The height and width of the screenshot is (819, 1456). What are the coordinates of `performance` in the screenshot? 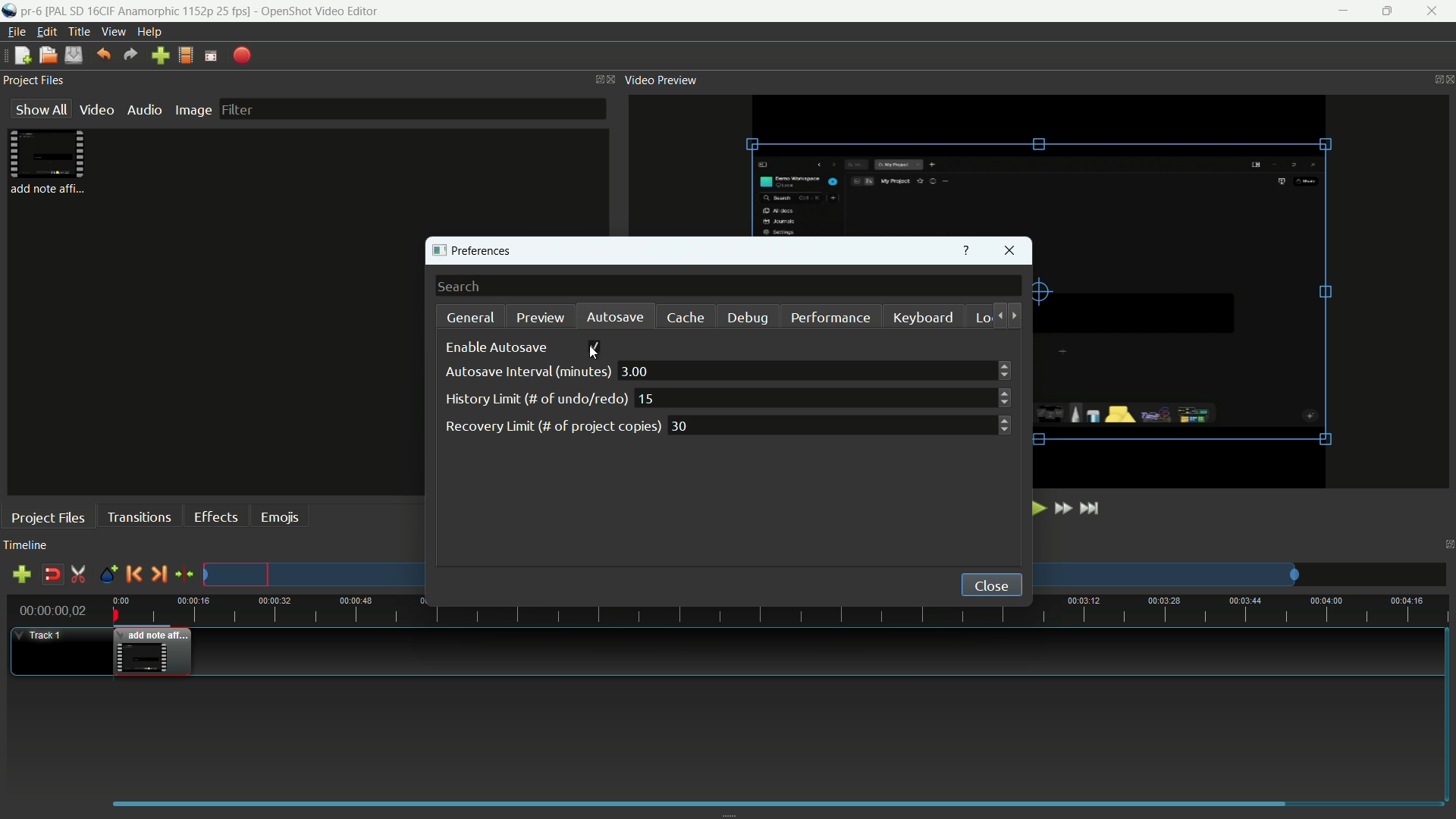 It's located at (830, 318).